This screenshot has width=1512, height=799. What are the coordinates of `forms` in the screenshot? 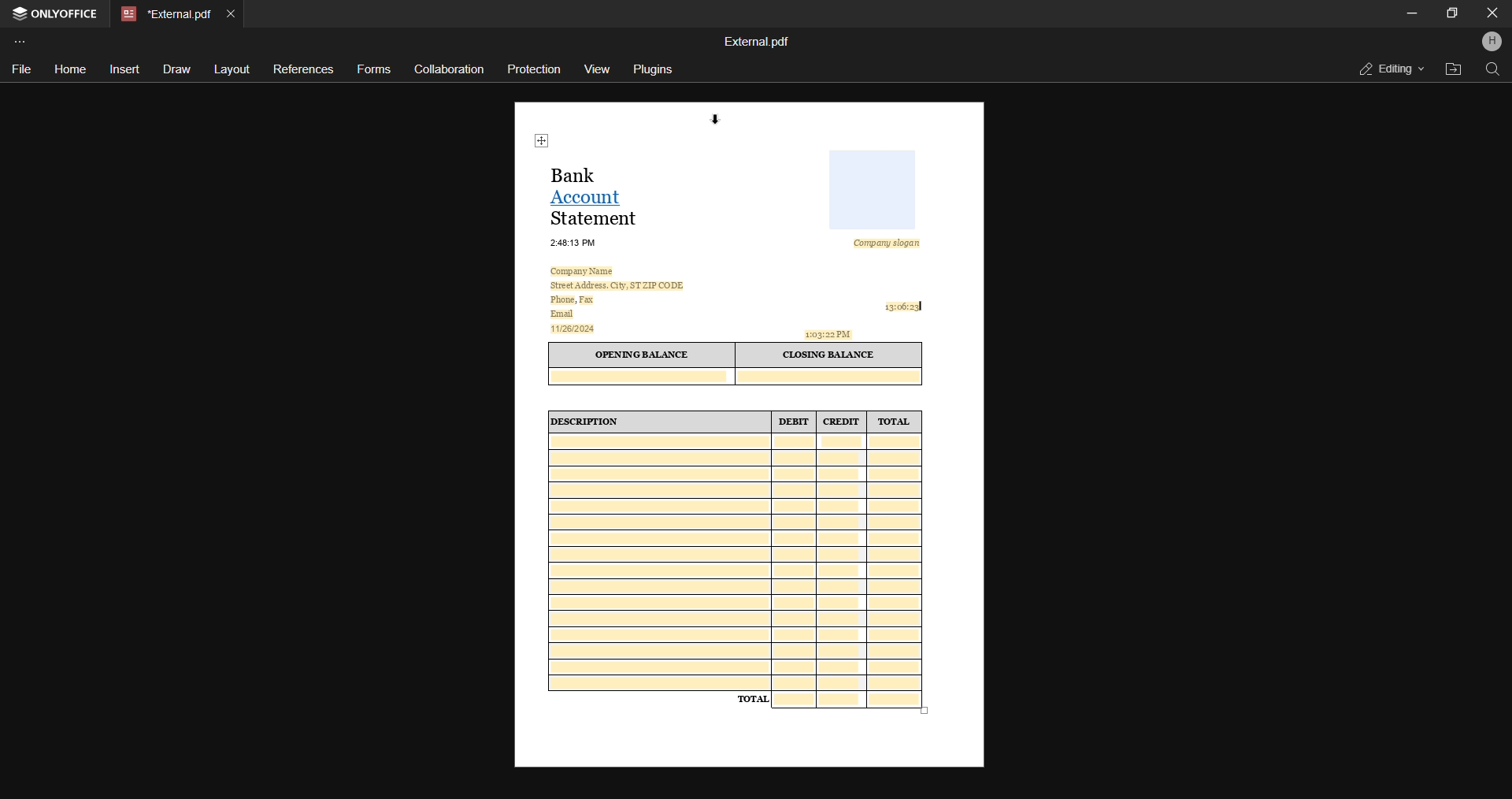 It's located at (376, 70).